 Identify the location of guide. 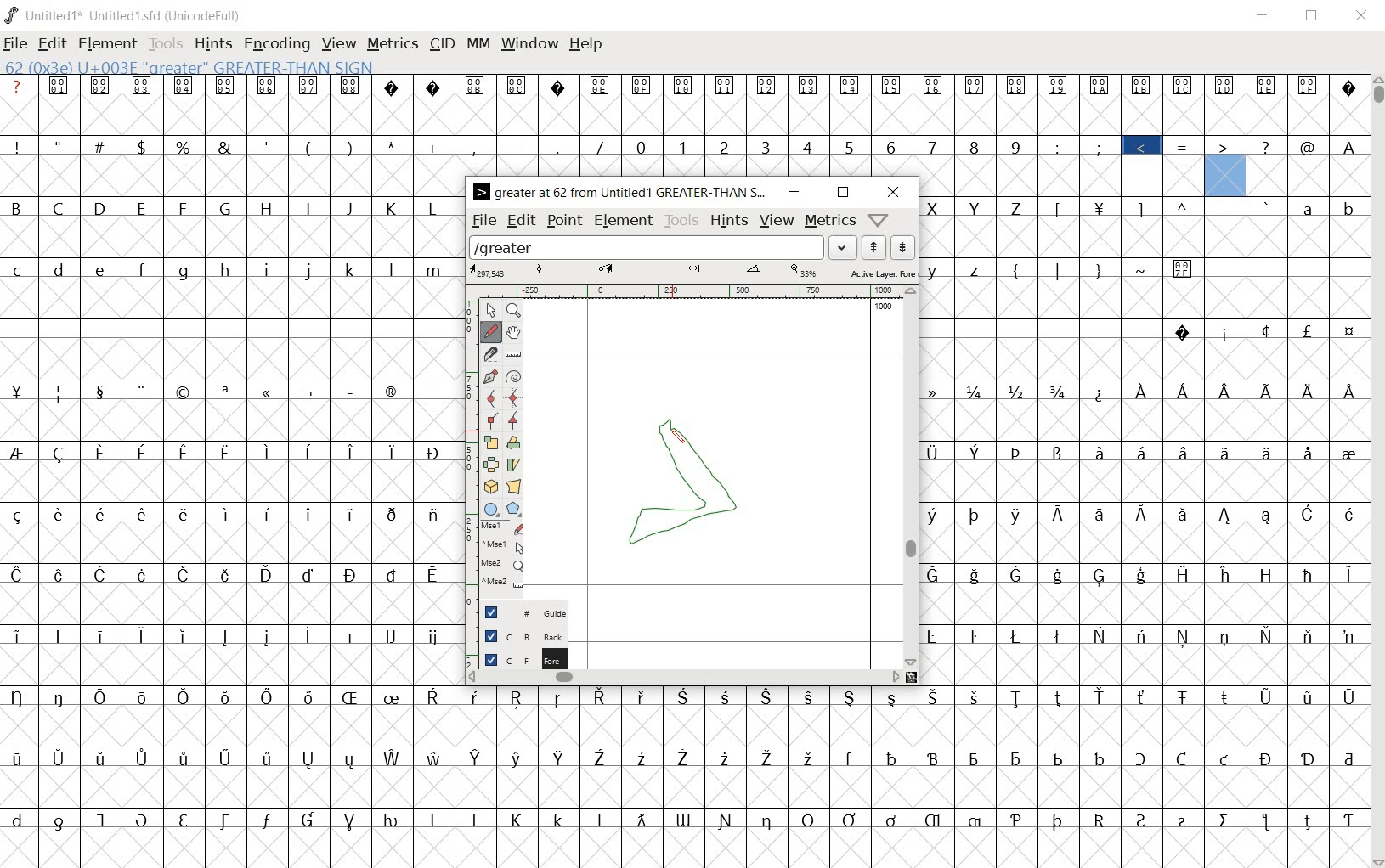
(517, 611).